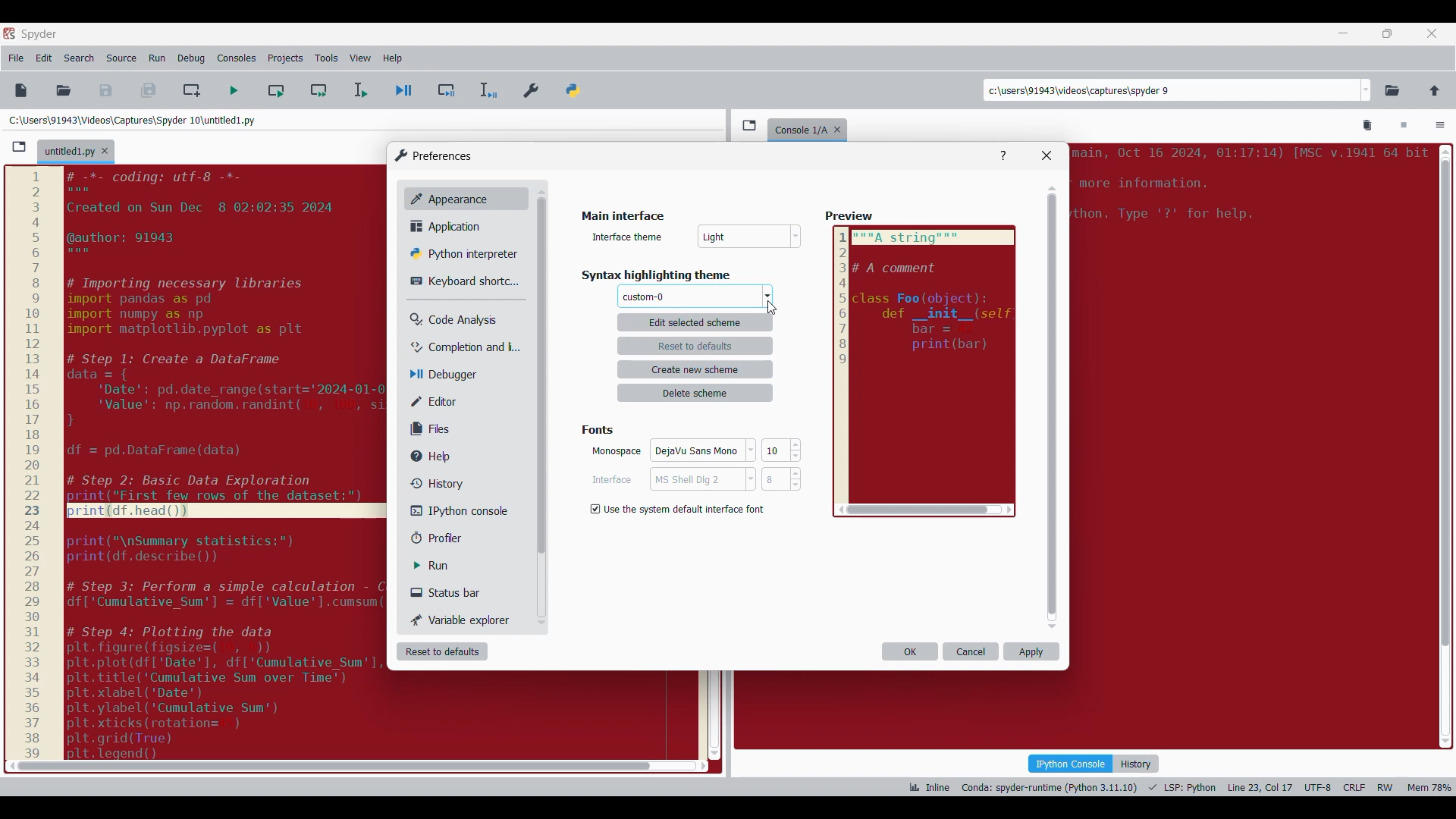 This screenshot has width=1456, height=819. What do you see at coordinates (798, 128) in the screenshot?
I see `console` at bounding box center [798, 128].